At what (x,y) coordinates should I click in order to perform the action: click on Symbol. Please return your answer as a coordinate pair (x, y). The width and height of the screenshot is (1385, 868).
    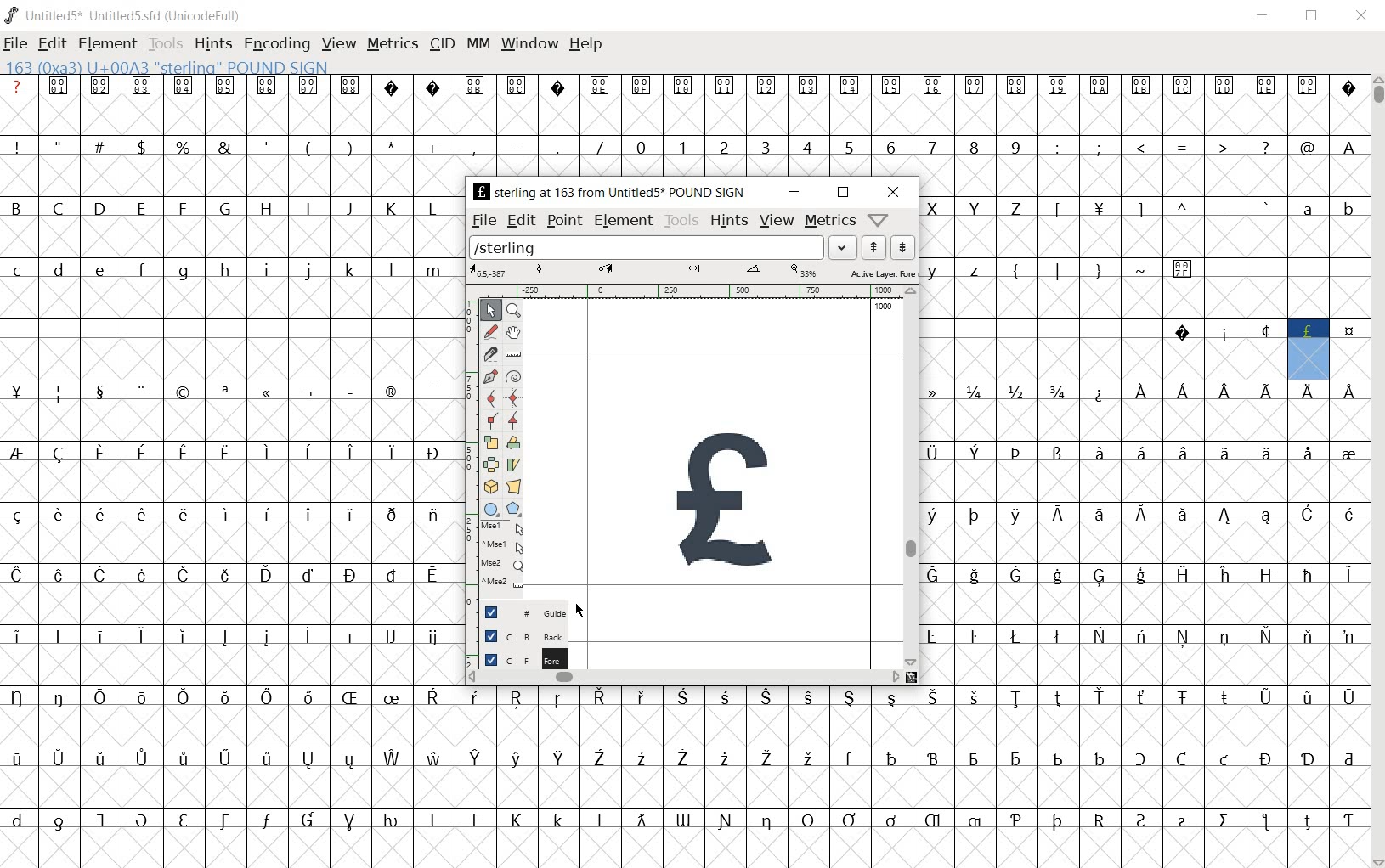
    Looking at the image, I should click on (1263, 697).